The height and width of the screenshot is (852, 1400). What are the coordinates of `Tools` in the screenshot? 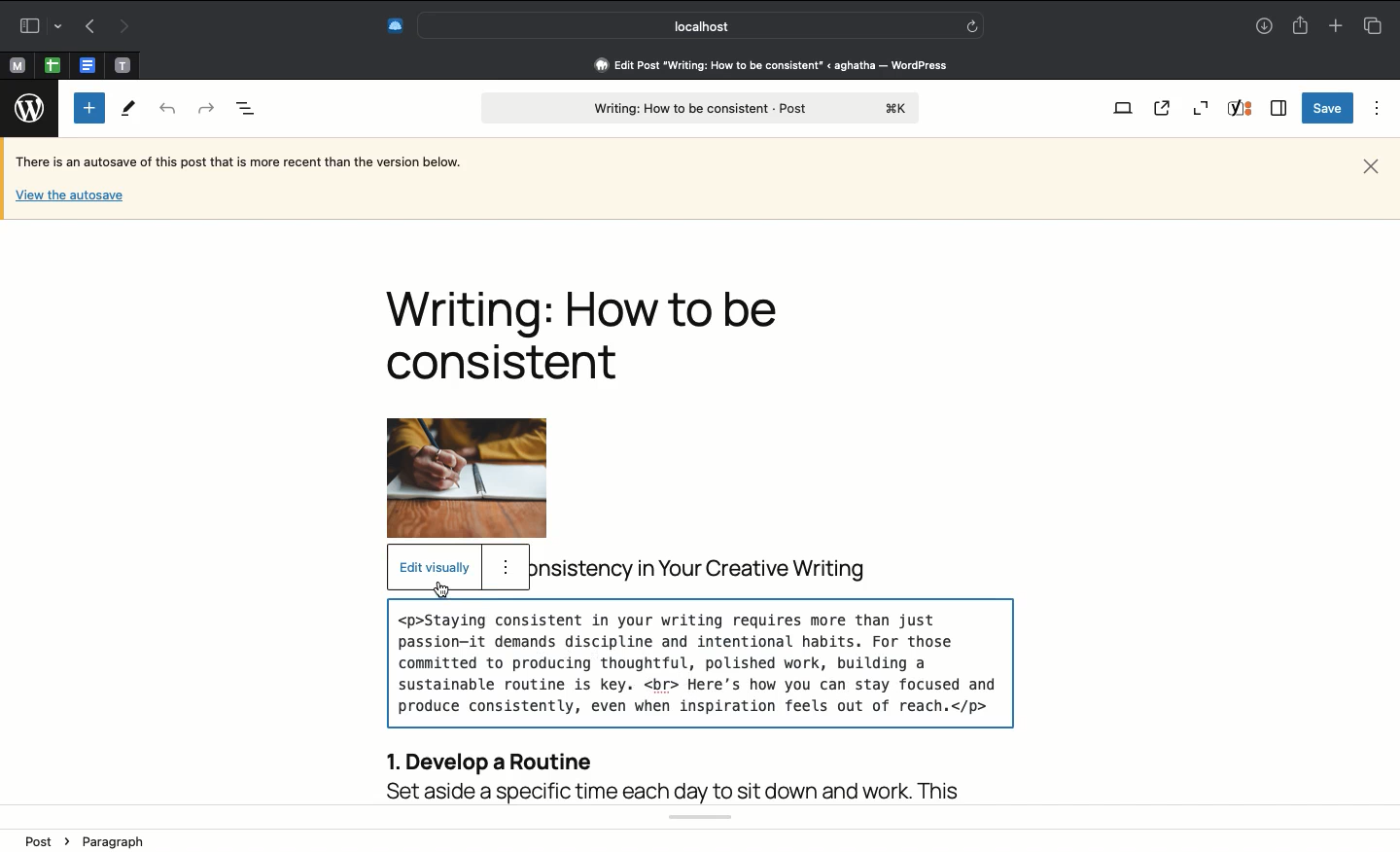 It's located at (129, 110).